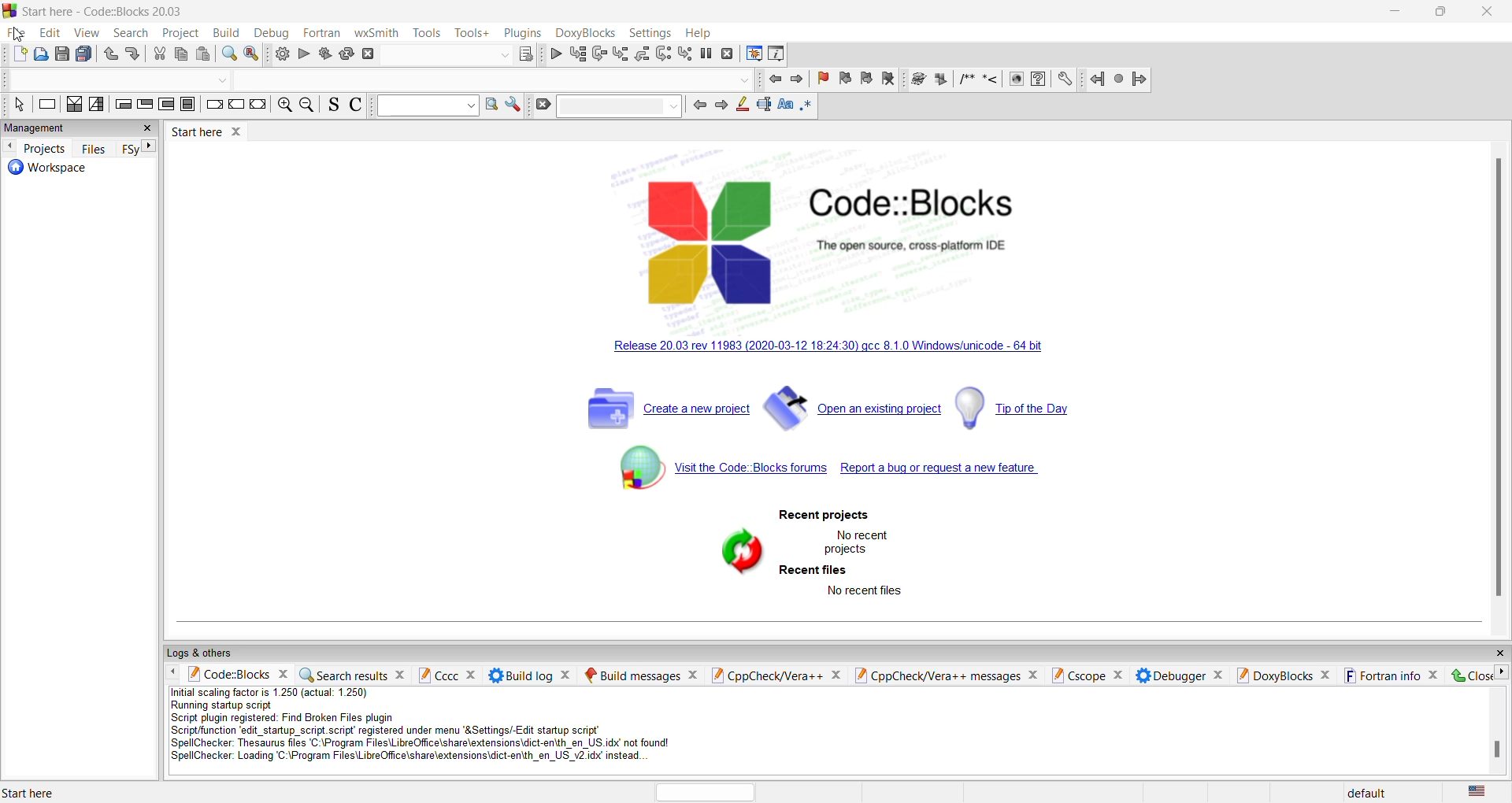 The width and height of the screenshot is (1512, 803). What do you see at coordinates (215, 105) in the screenshot?
I see `break instructions` at bounding box center [215, 105].